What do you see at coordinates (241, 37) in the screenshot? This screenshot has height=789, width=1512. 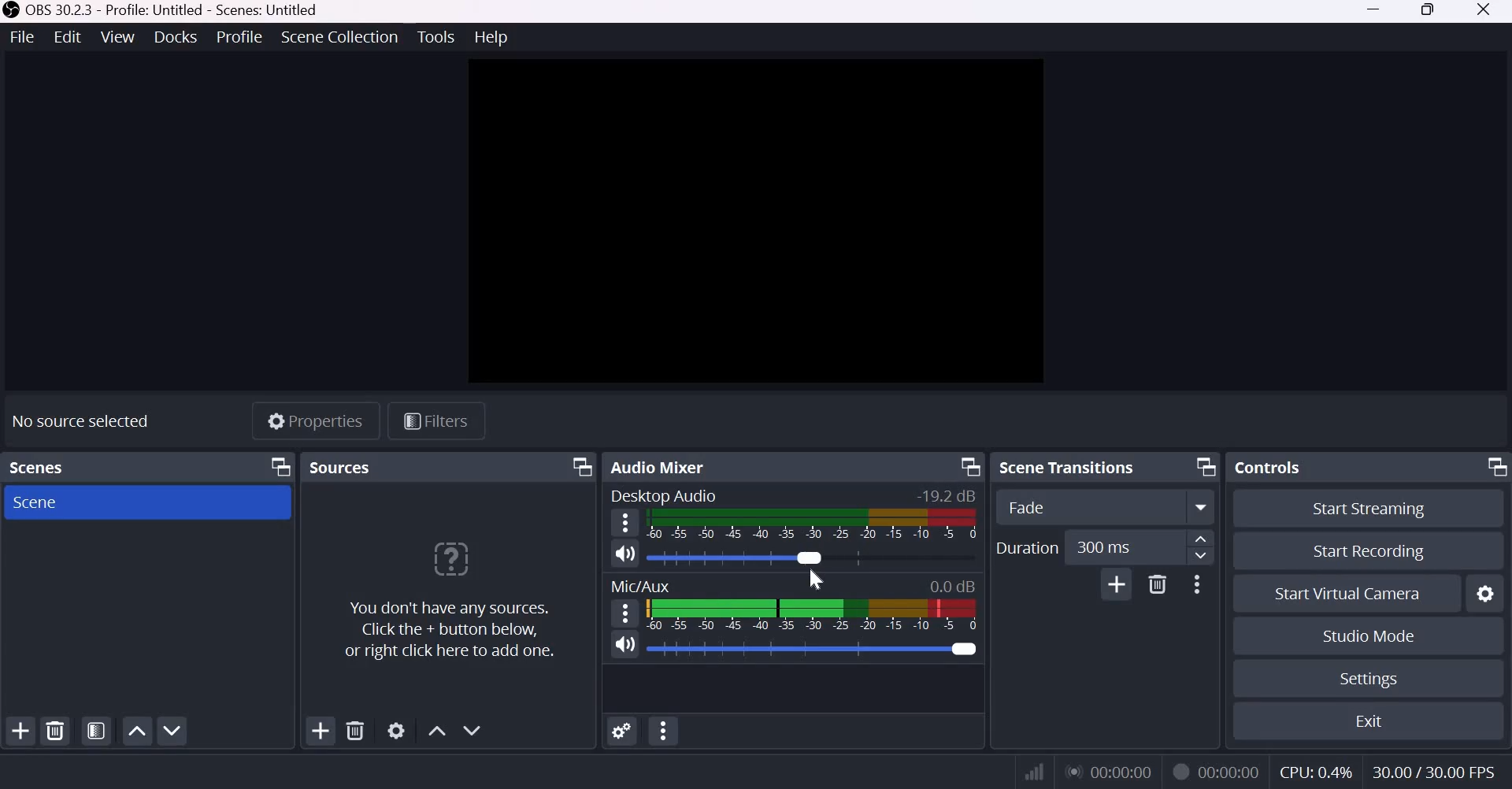 I see `Profile` at bounding box center [241, 37].